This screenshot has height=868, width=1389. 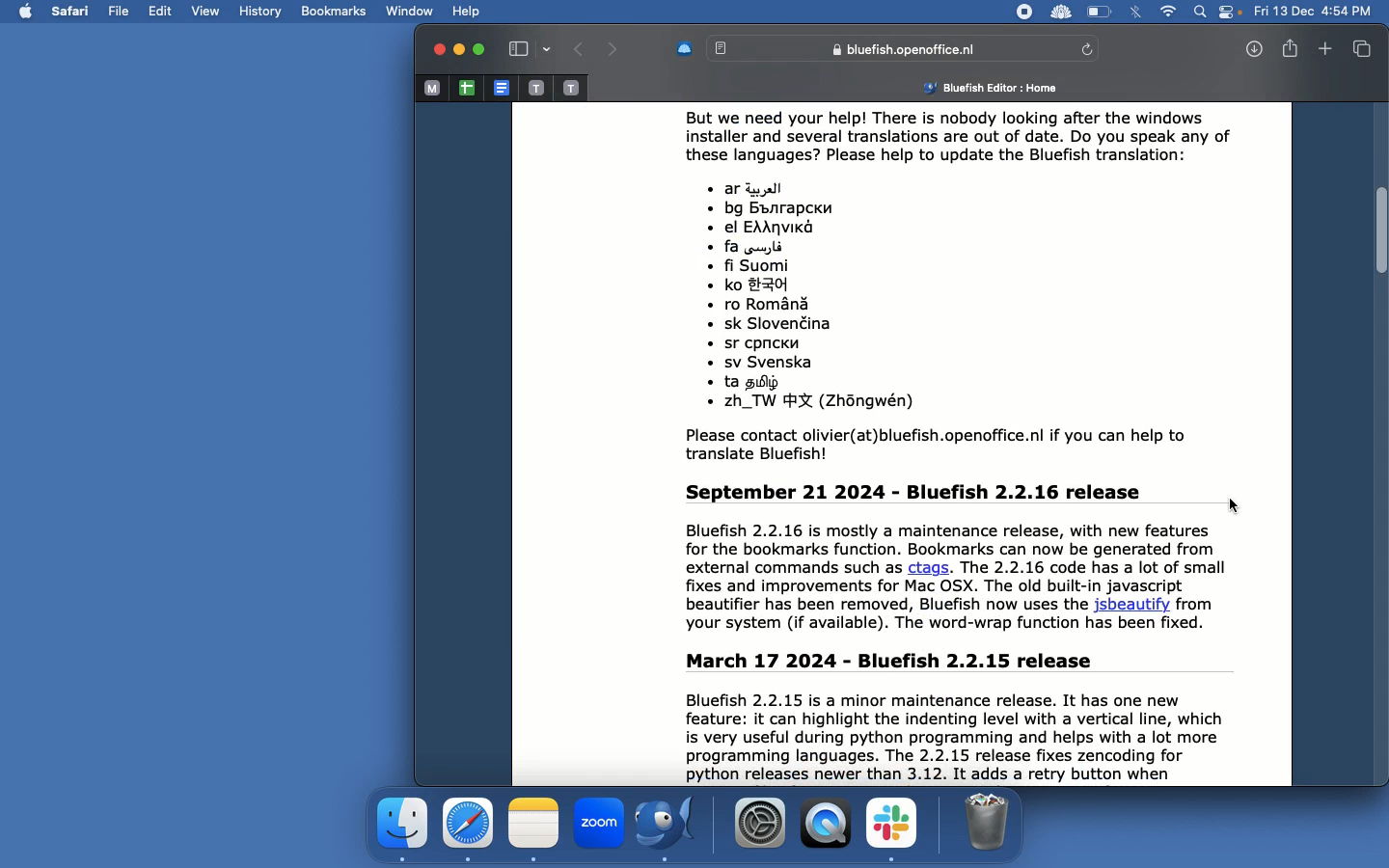 What do you see at coordinates (1024, 12) in the screenshot?
I see `Record` at bounding box center [1024, 12].